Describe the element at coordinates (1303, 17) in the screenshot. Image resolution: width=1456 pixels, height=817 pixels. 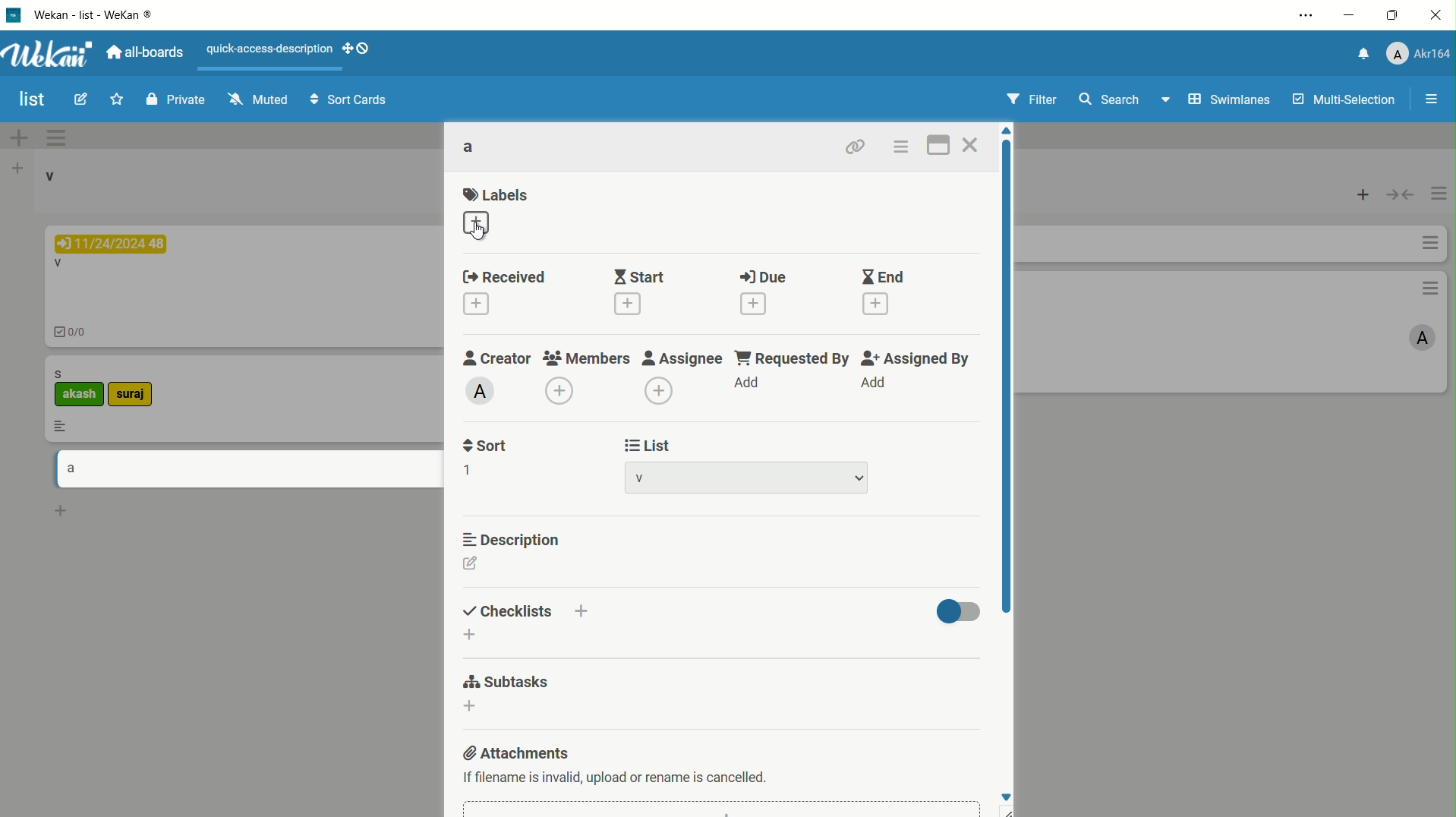
I see `settings and more` at that location.